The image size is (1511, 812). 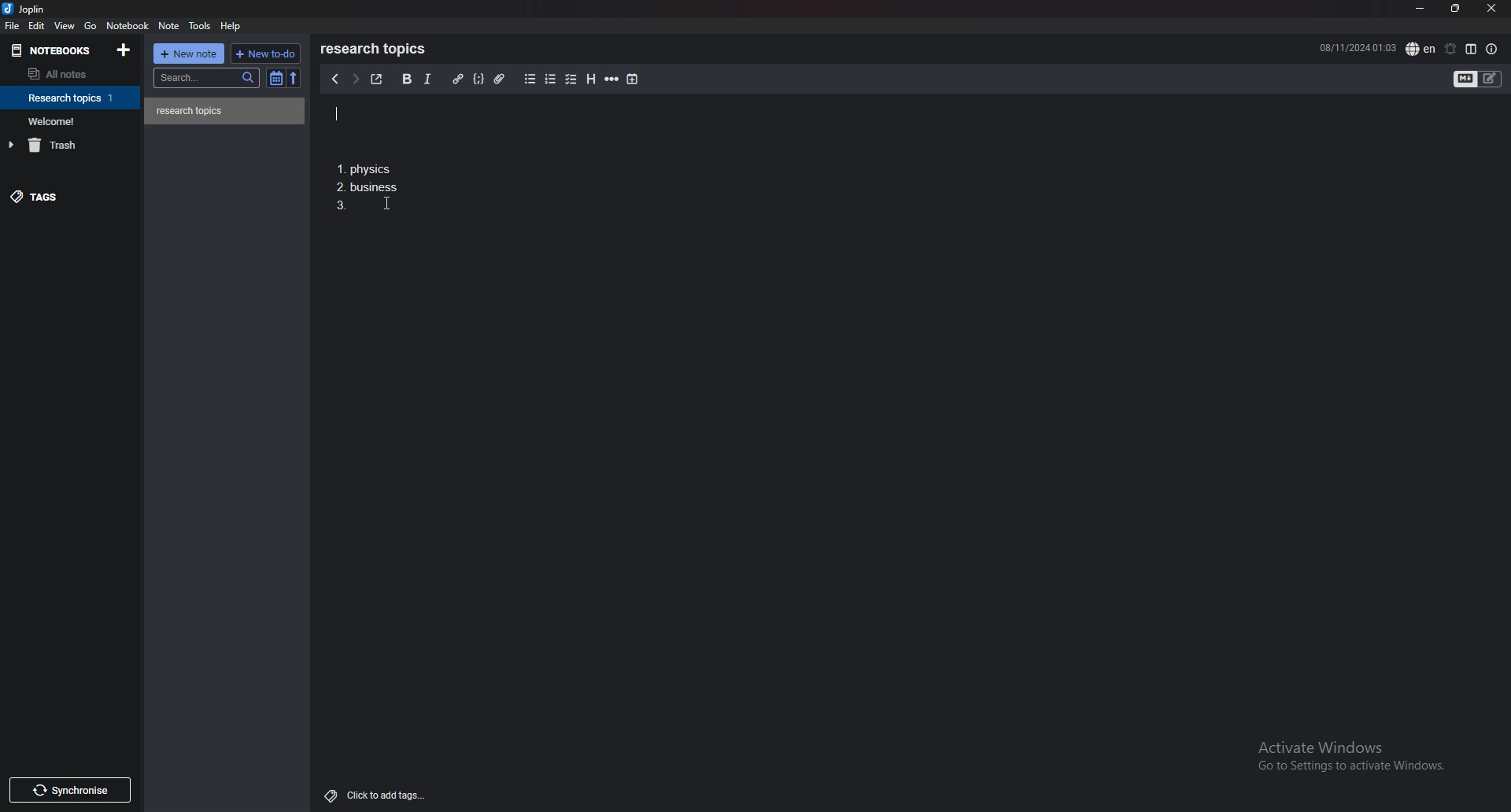 What do you see at coordinates (36, 25) in the screenshot?
I see `edit` at bounding box center [36, 25].